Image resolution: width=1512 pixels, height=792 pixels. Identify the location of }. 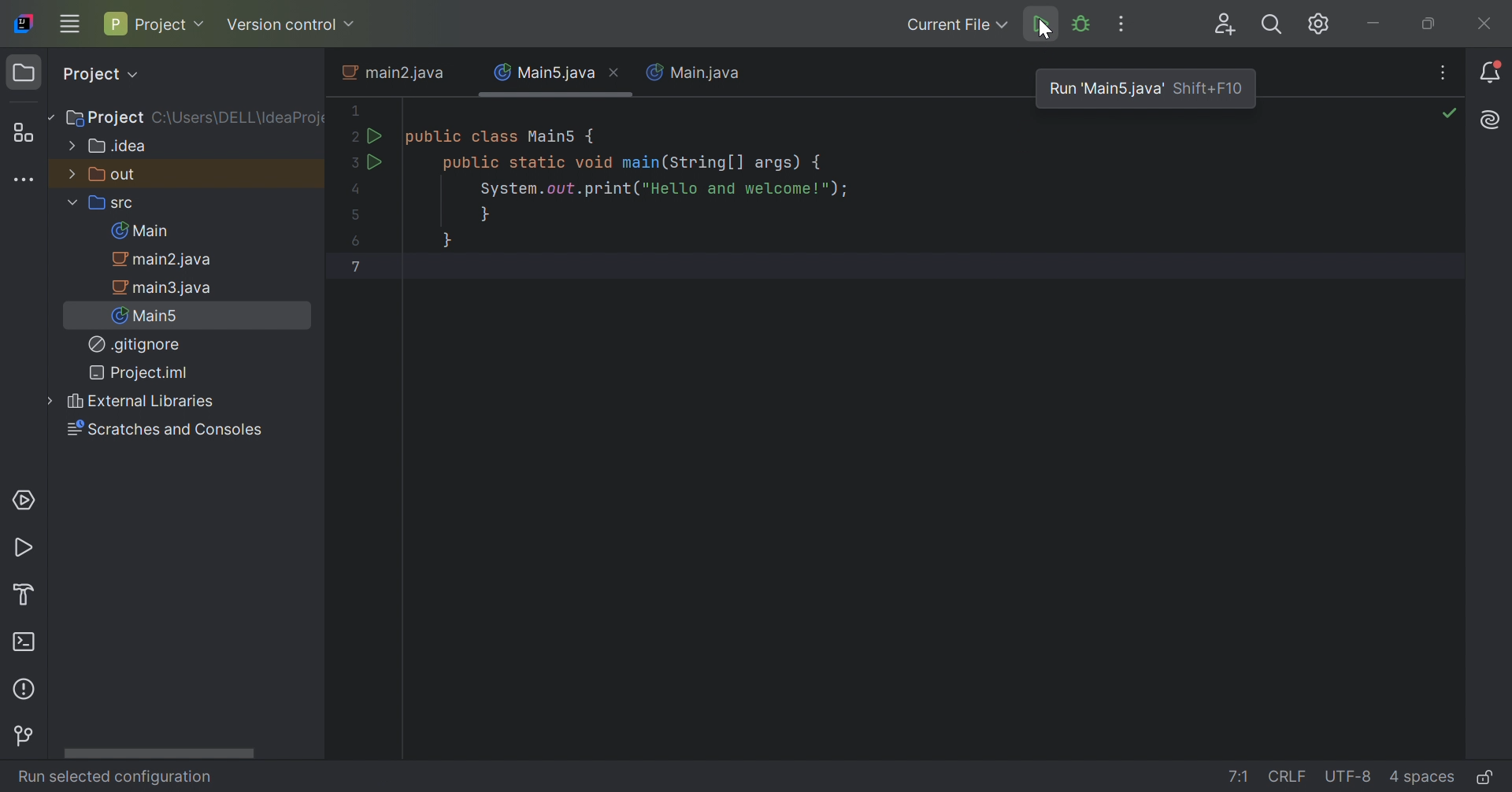
(451, 242).